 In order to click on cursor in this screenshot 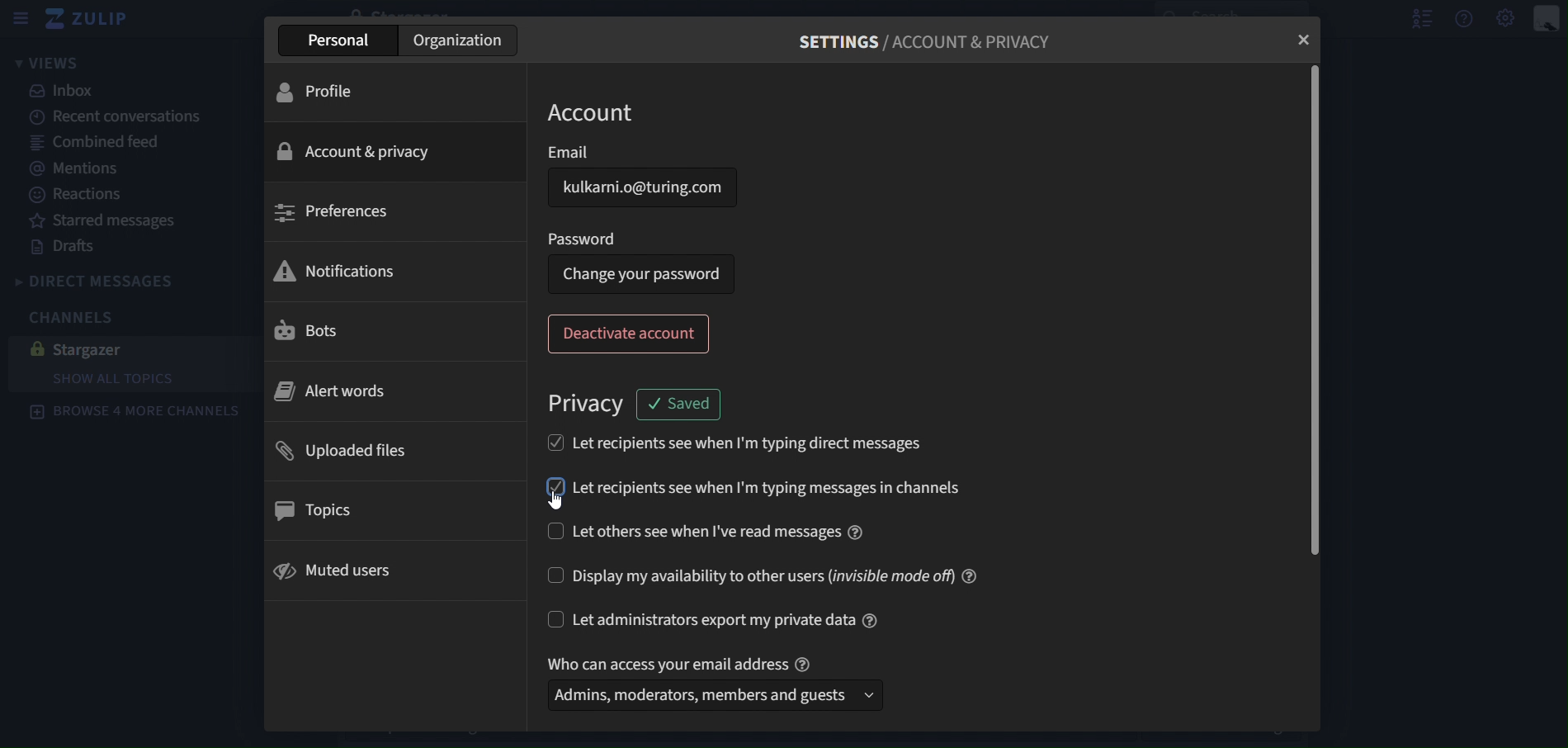, I will do `click(554, 502)`.